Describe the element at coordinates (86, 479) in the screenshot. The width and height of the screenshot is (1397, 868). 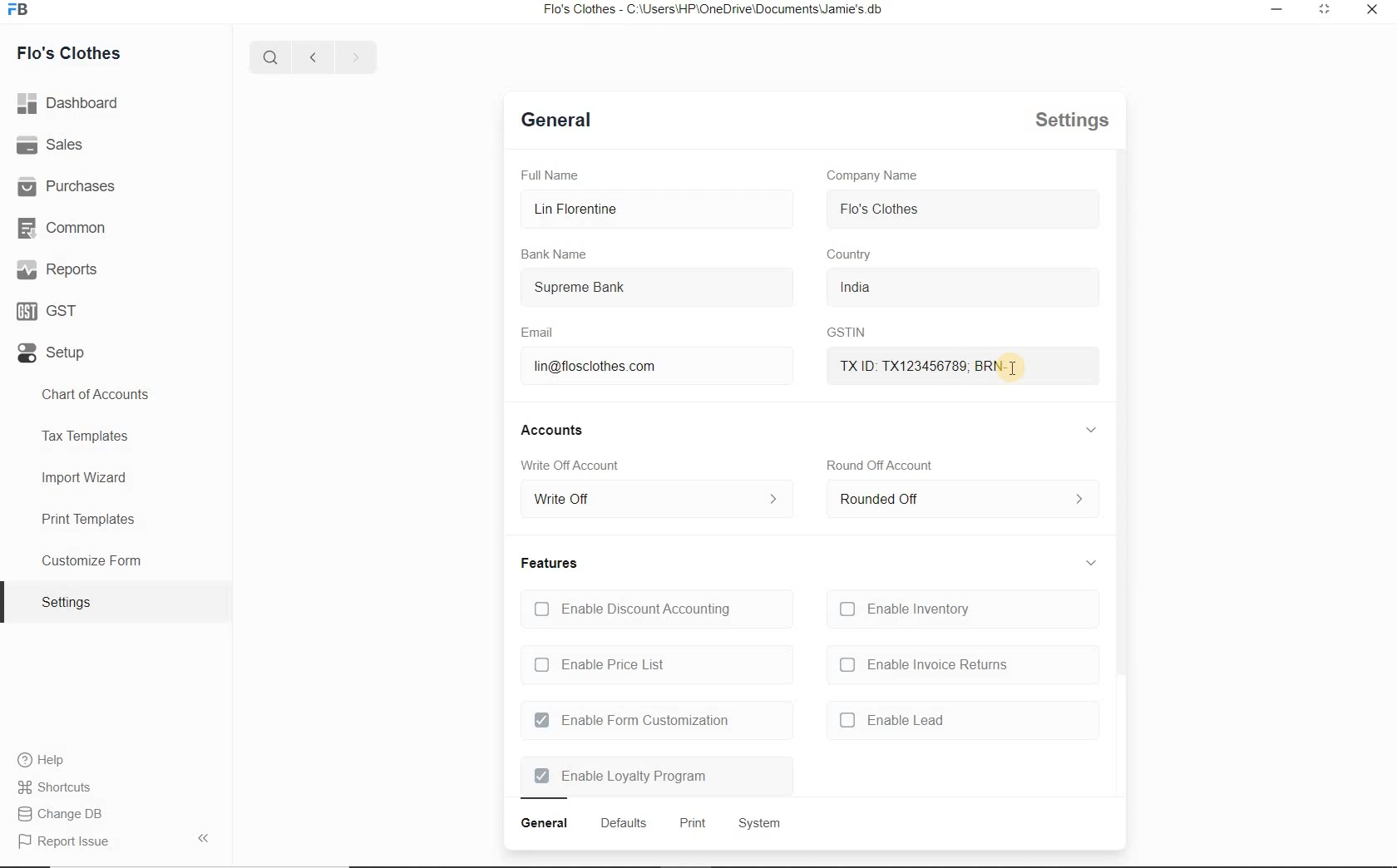
I see `Import Wizard` at that location.